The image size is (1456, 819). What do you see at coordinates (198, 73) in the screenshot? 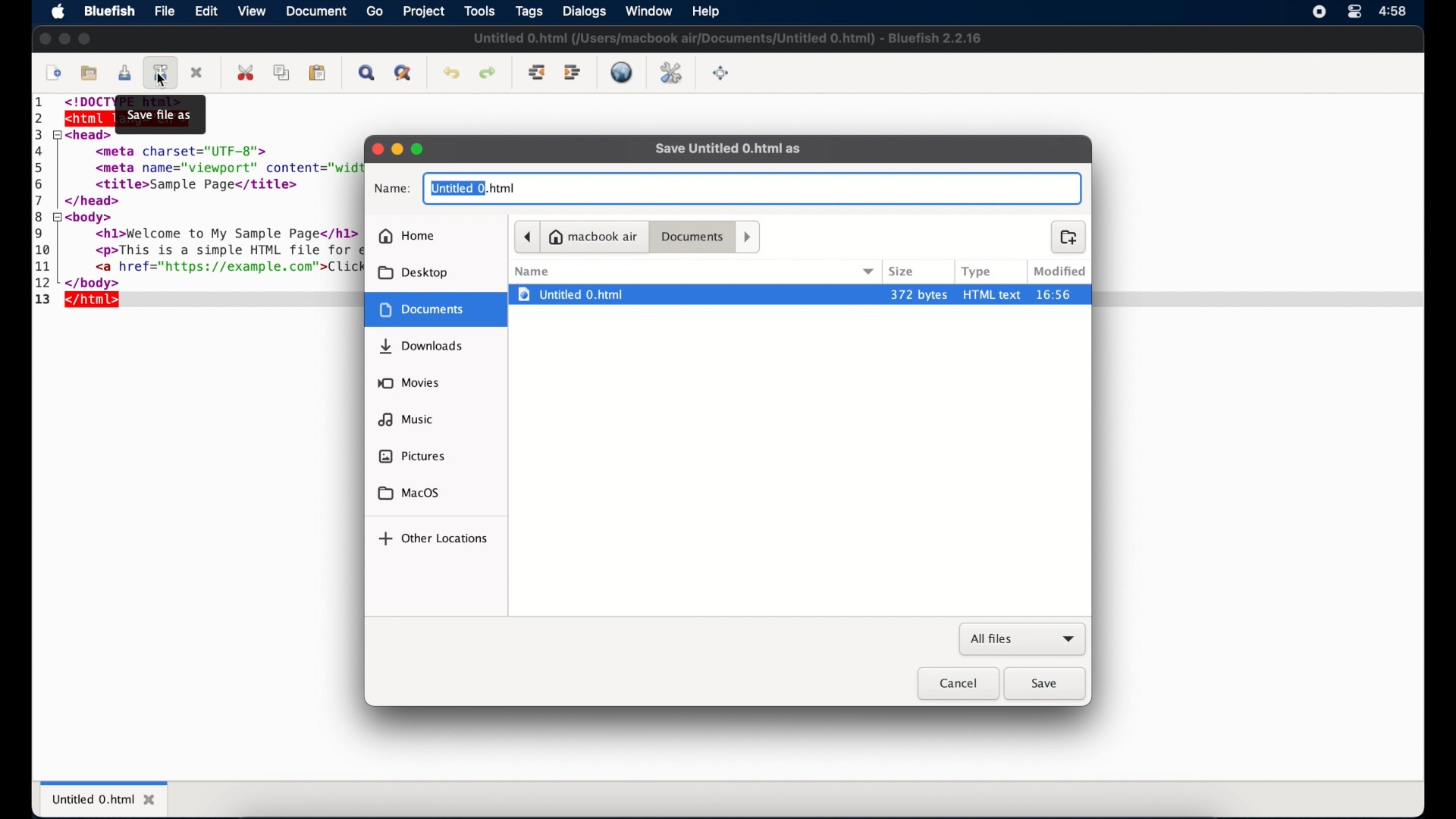
I see `close` at bounding box center [198, 73].